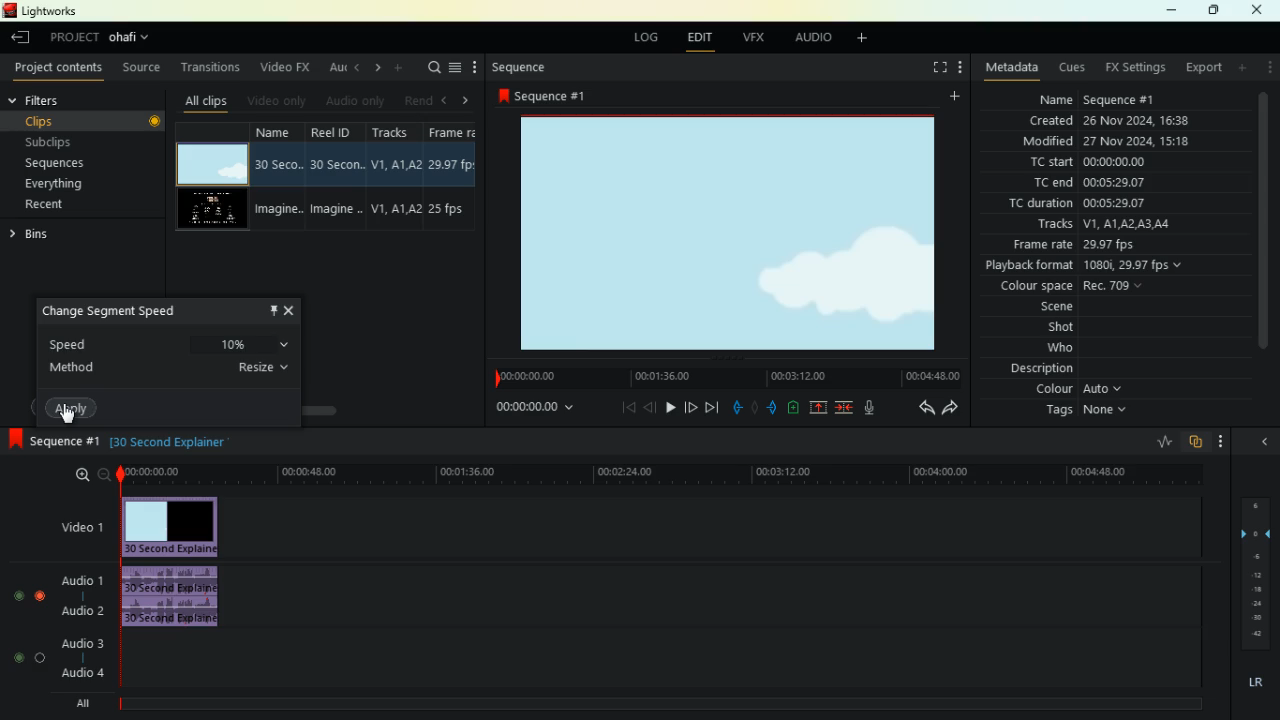 The image size is (1280, 720). What do you see at coordinates (49, 11) in the screenshot?
I see `lightworks` at bounding box center [49, 11].